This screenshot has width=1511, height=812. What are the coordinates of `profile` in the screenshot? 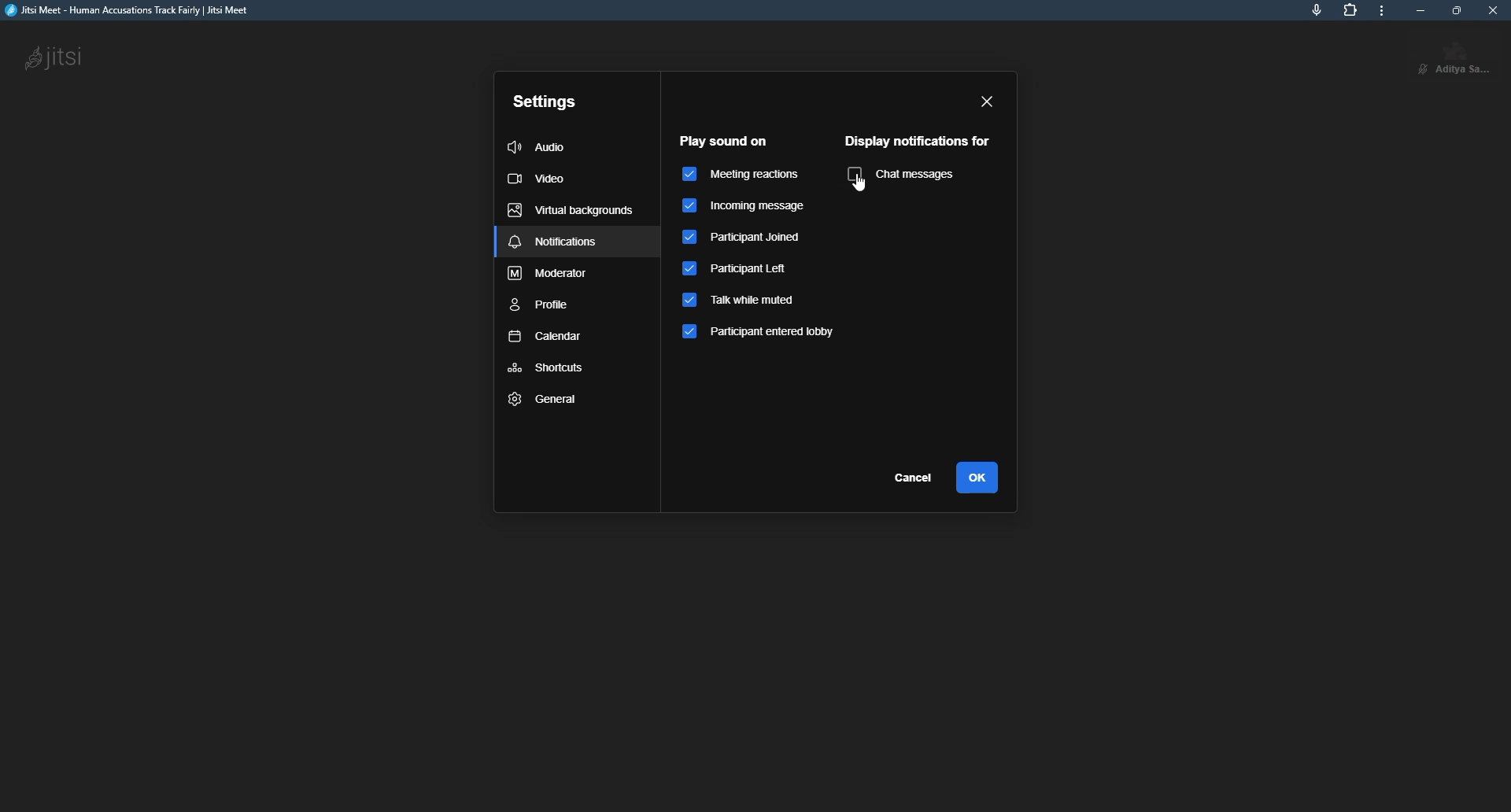 It's located at (1465, 56).